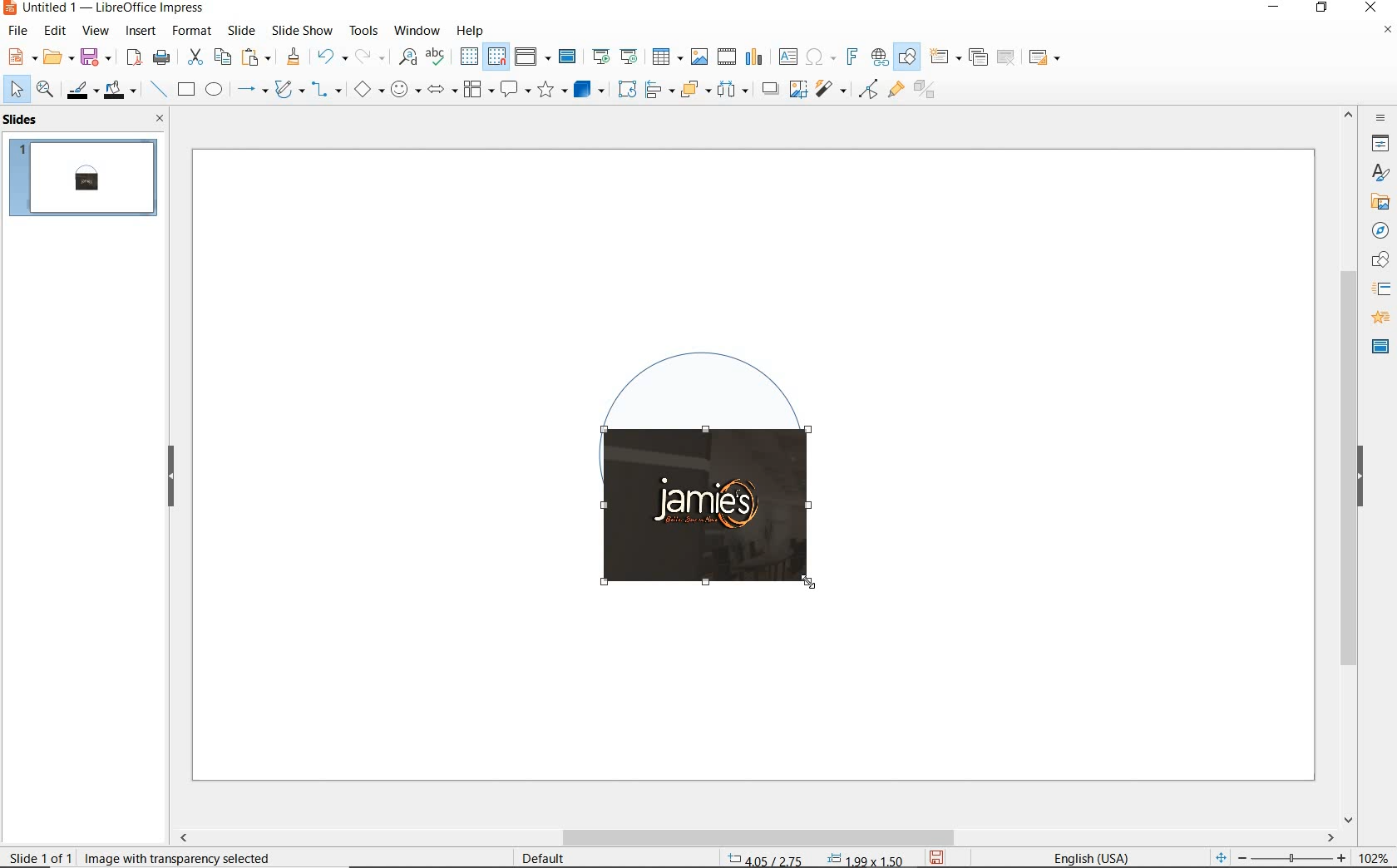  Describe the element at coordinates (1296, 858) in the screenshot. I see `zoom` at that location.